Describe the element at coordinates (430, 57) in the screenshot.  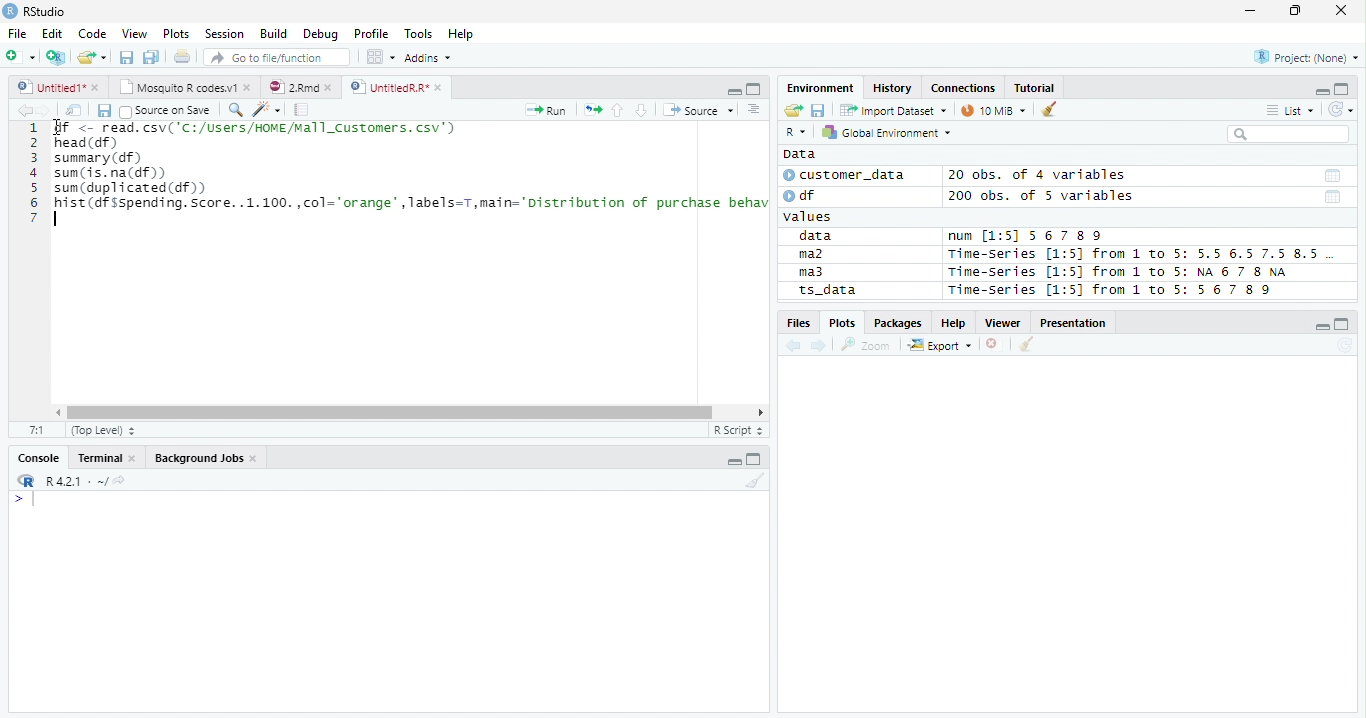
I see `Addins` at that location.